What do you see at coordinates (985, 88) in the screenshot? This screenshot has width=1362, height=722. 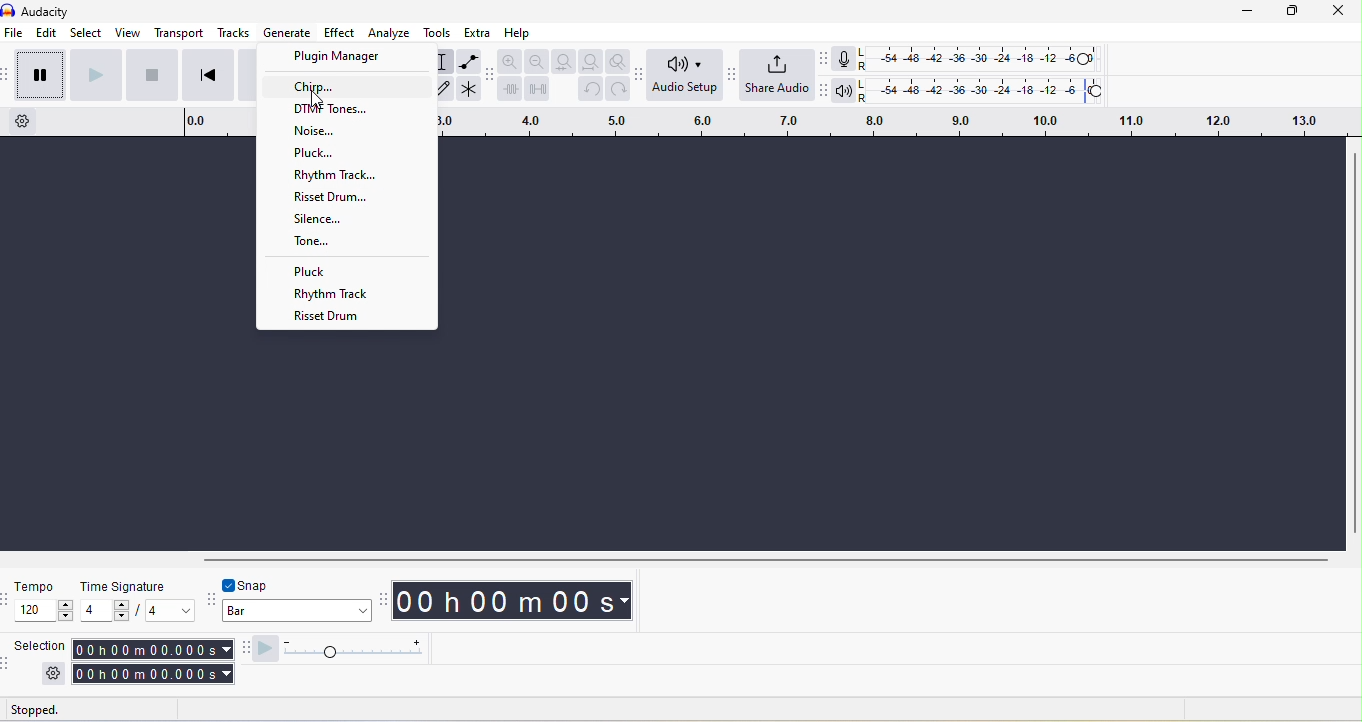 I see `playback level` at bounding box center [985, 88].